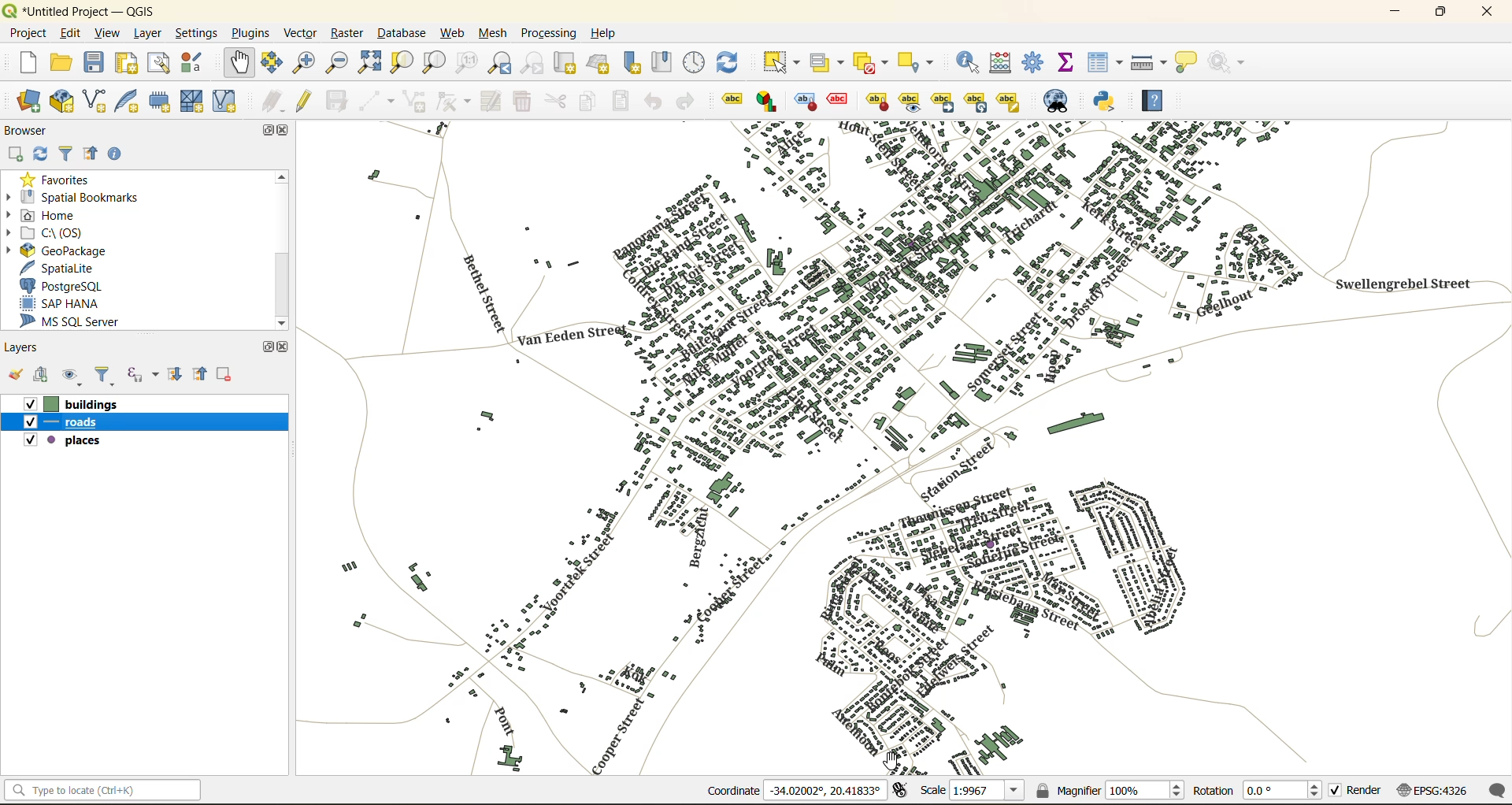  Describe the element at coordinates (450, 35) in the screenshot. I see `web` at that location.